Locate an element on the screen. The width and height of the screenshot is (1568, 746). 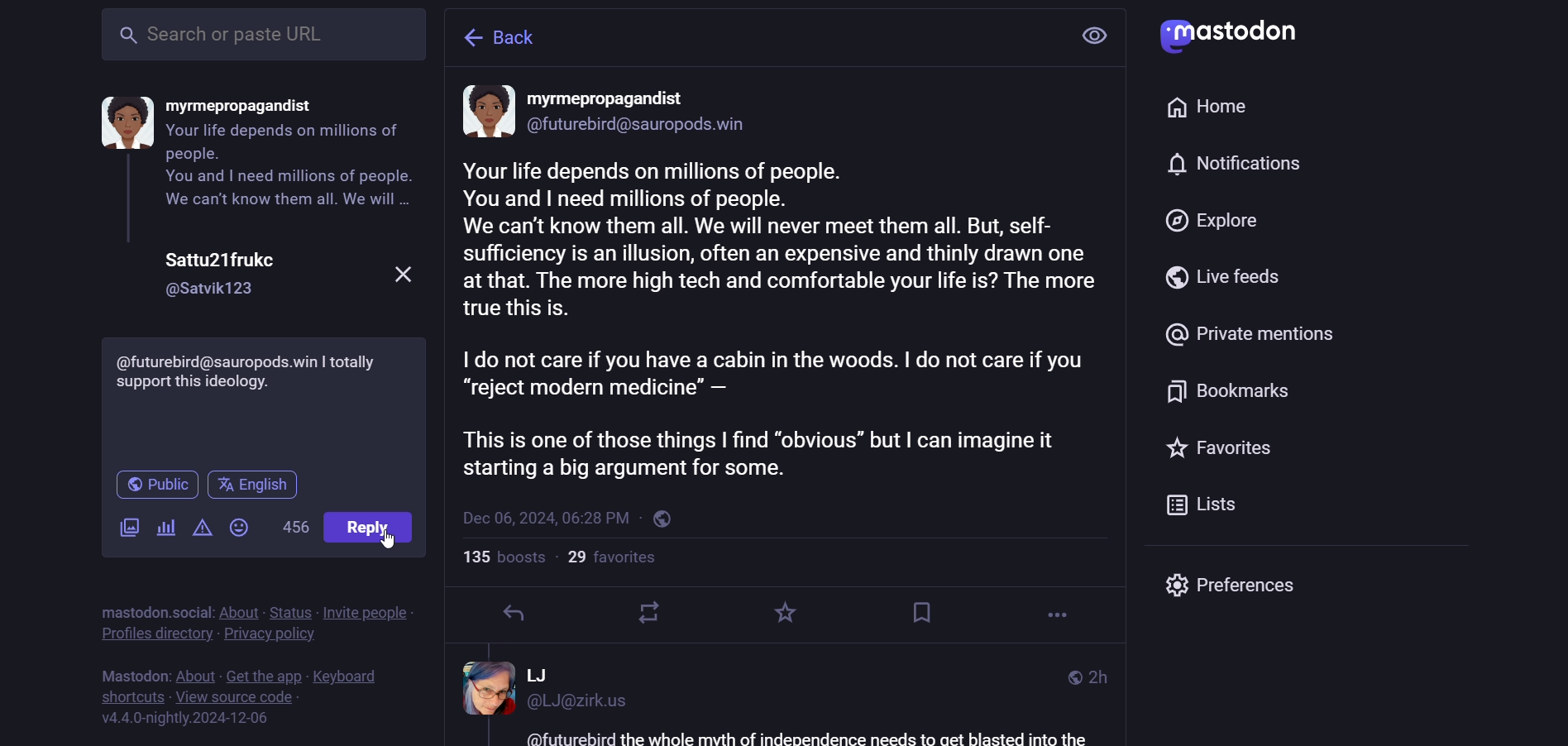
about is located at coordinates (198, 677).